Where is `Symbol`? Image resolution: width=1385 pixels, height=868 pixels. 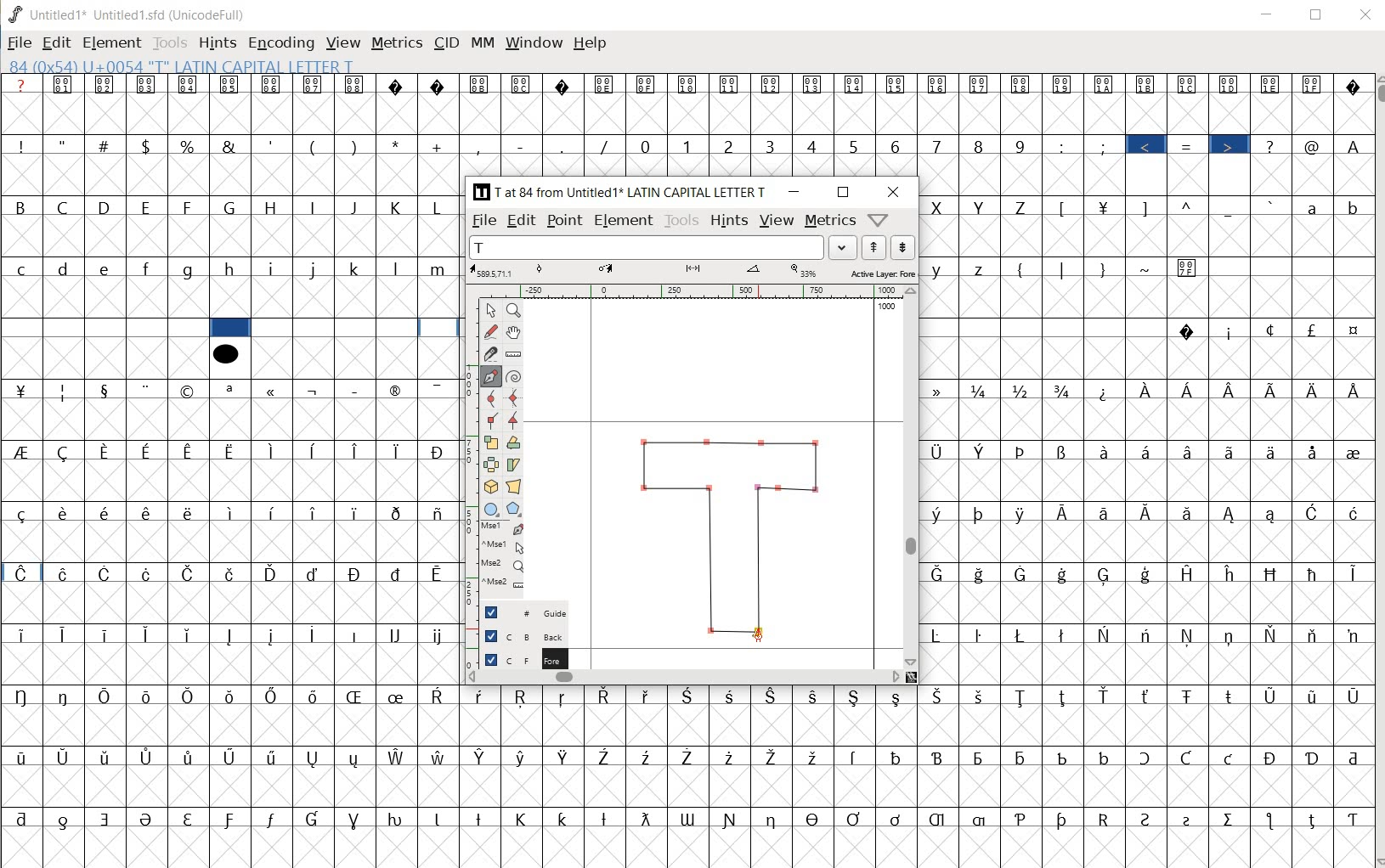 Symbol is located at coordinates (1231, 84).